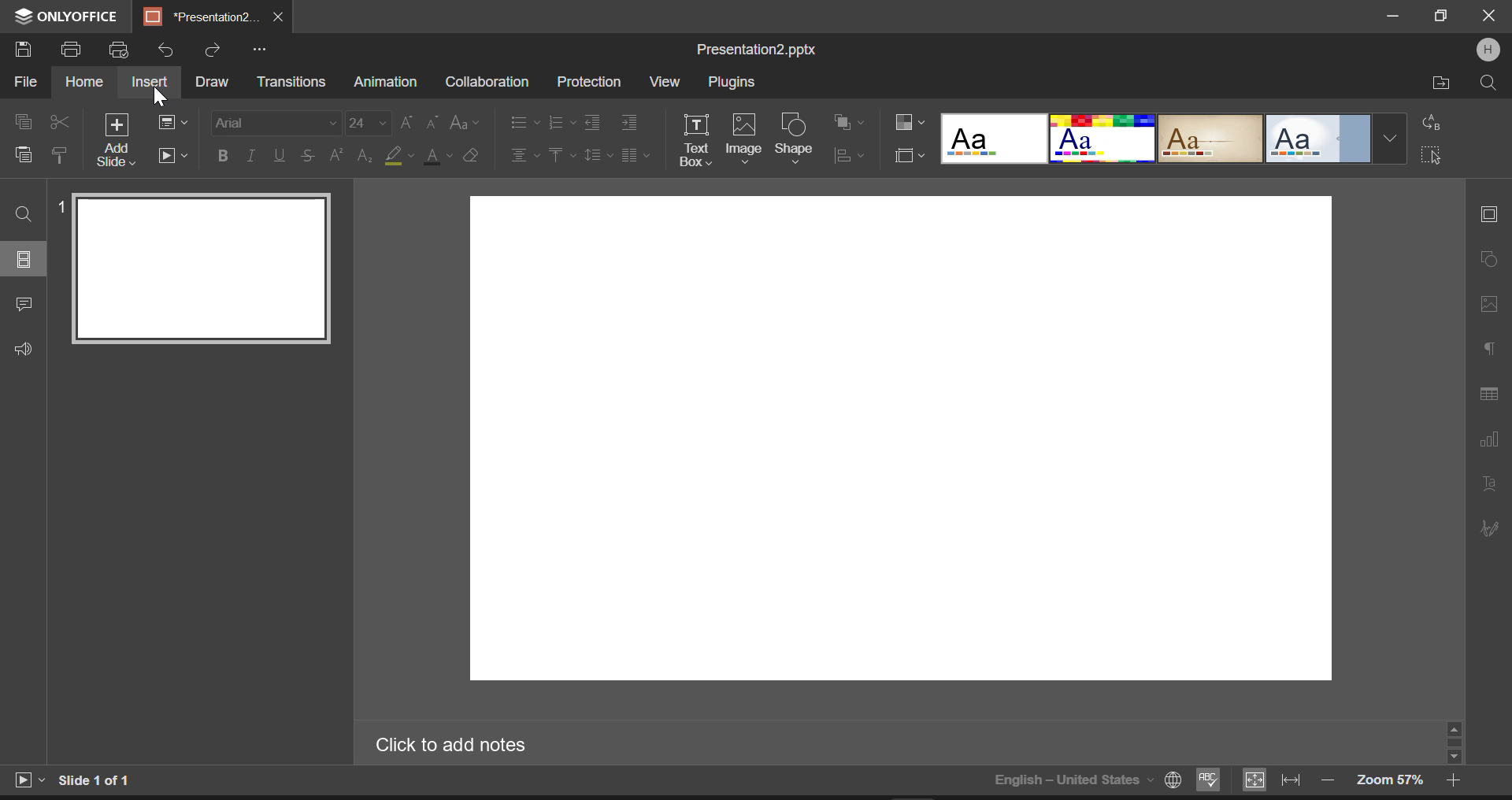  I want to click on Transitions, so click(293, 82).